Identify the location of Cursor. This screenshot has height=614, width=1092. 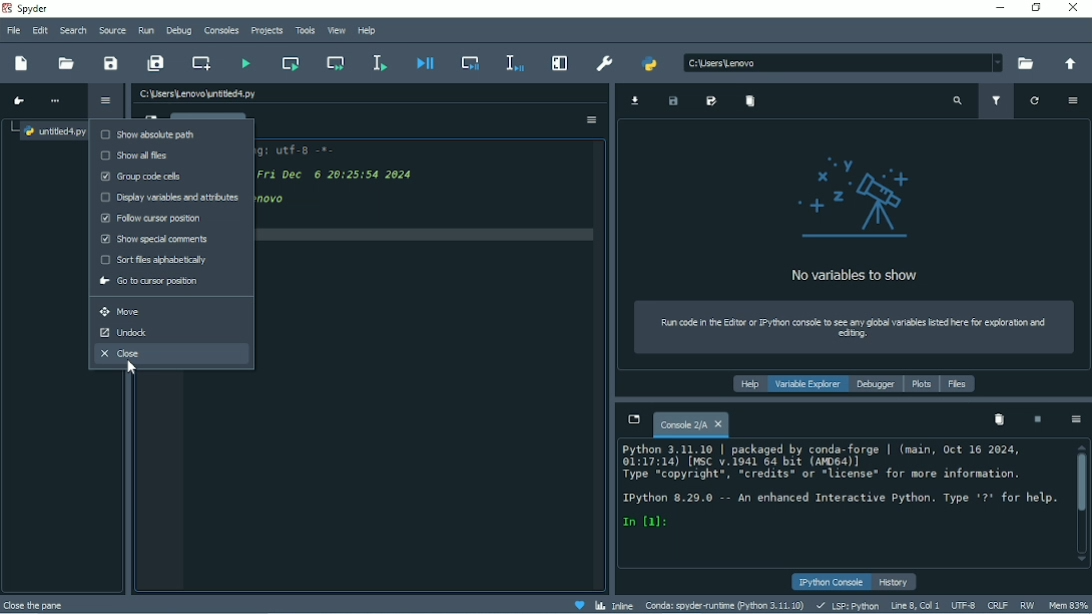
(132, 369).